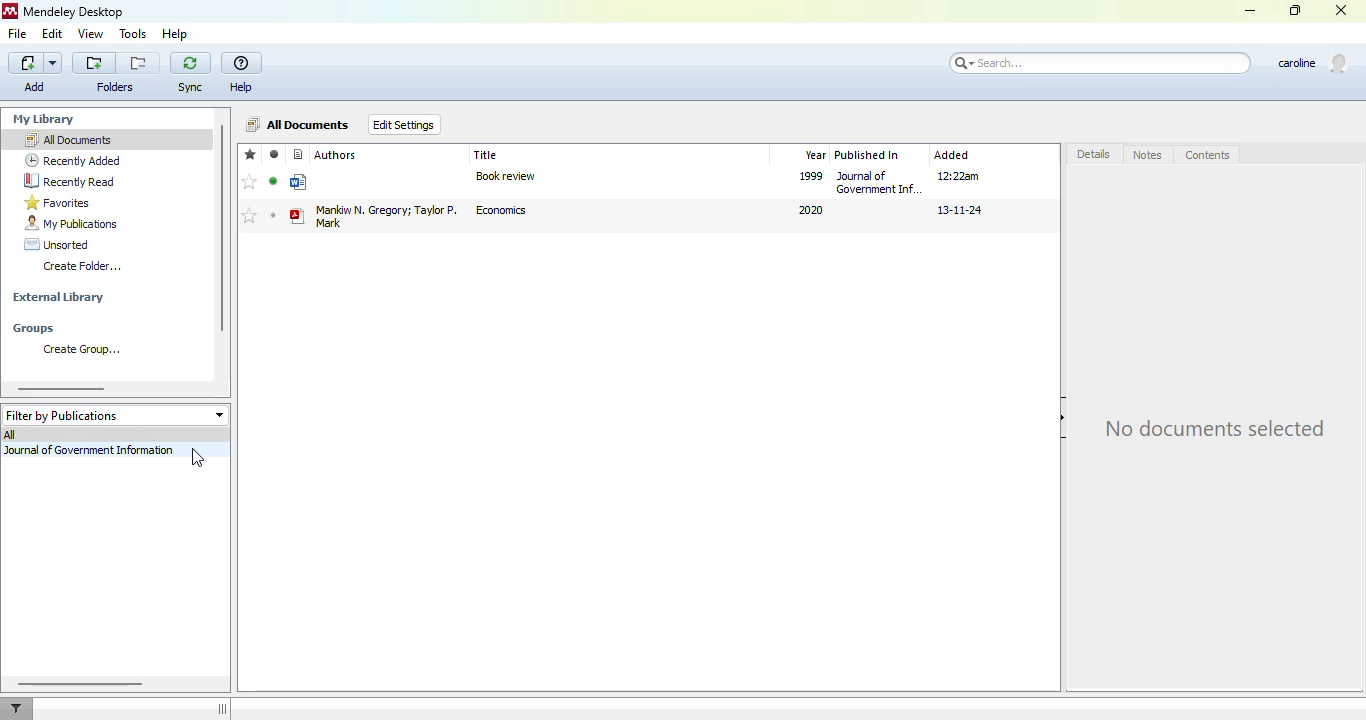  Describe the element at coordinates (1215, 426) in the screenshot. I see `no documents selected` at that location.